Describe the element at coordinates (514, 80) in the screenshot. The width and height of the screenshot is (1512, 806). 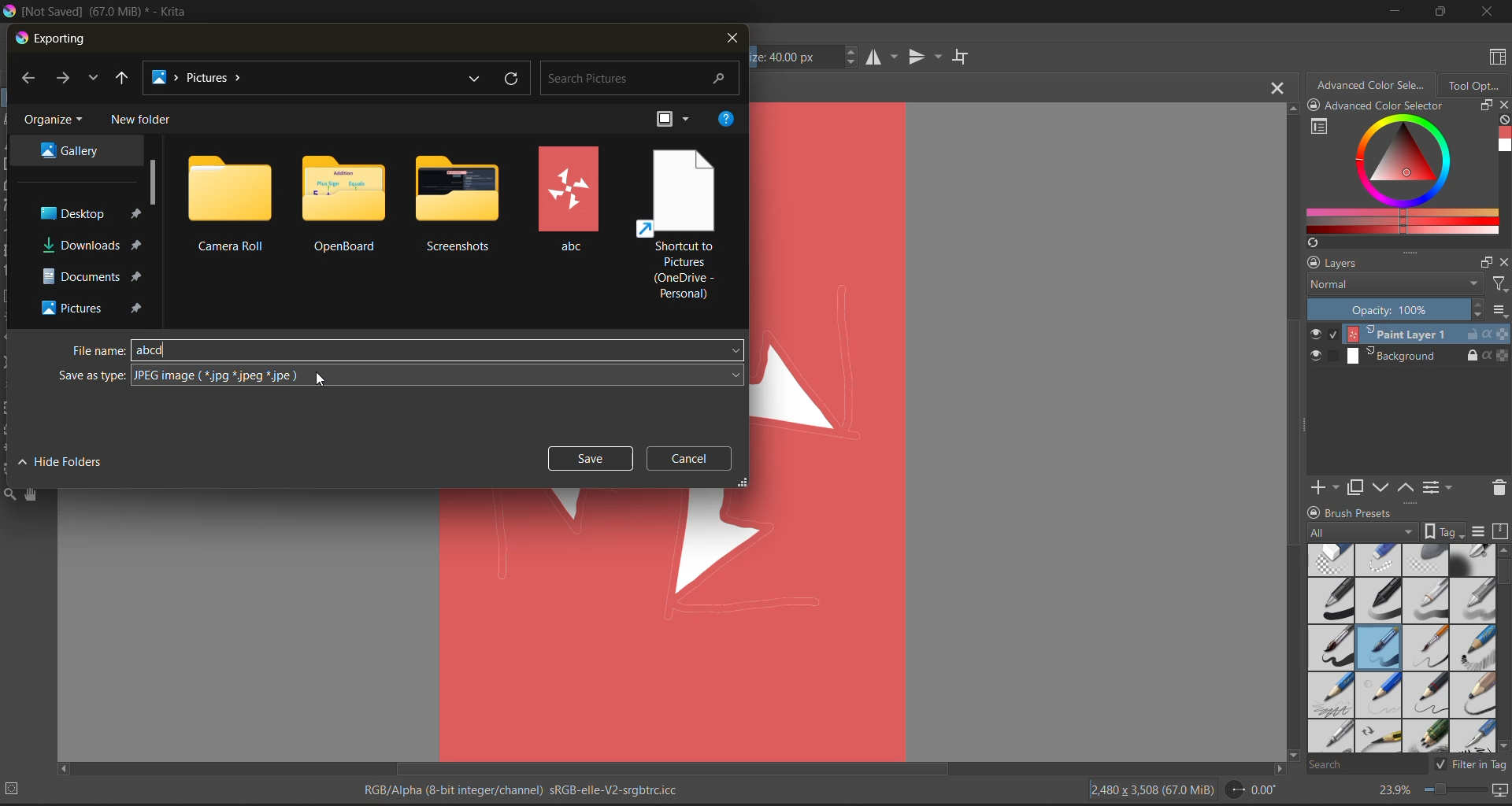
I see `refresh` at that location.